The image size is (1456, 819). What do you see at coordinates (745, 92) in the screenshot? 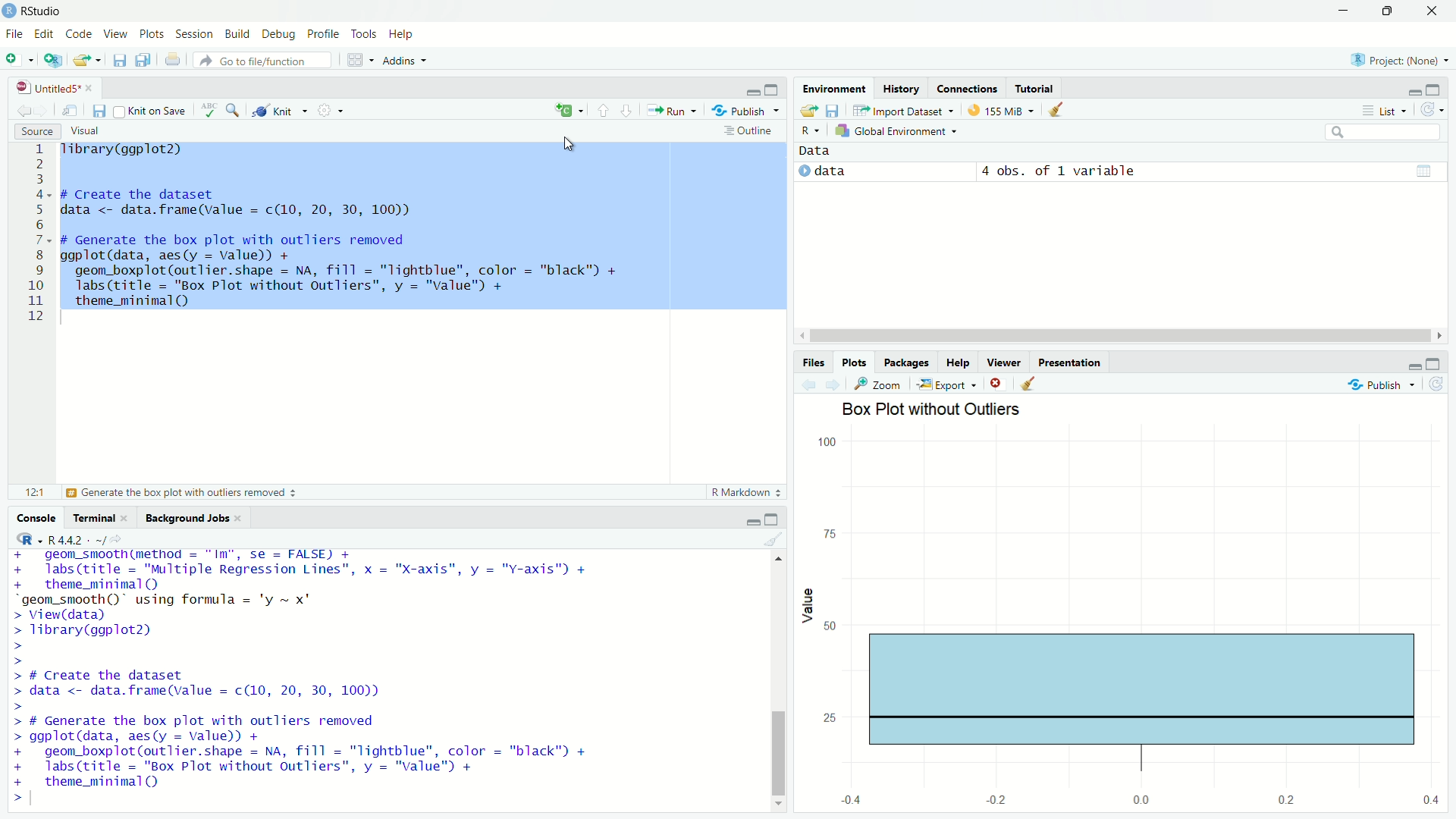
I see `minimise` at bounding box center [745, 92].